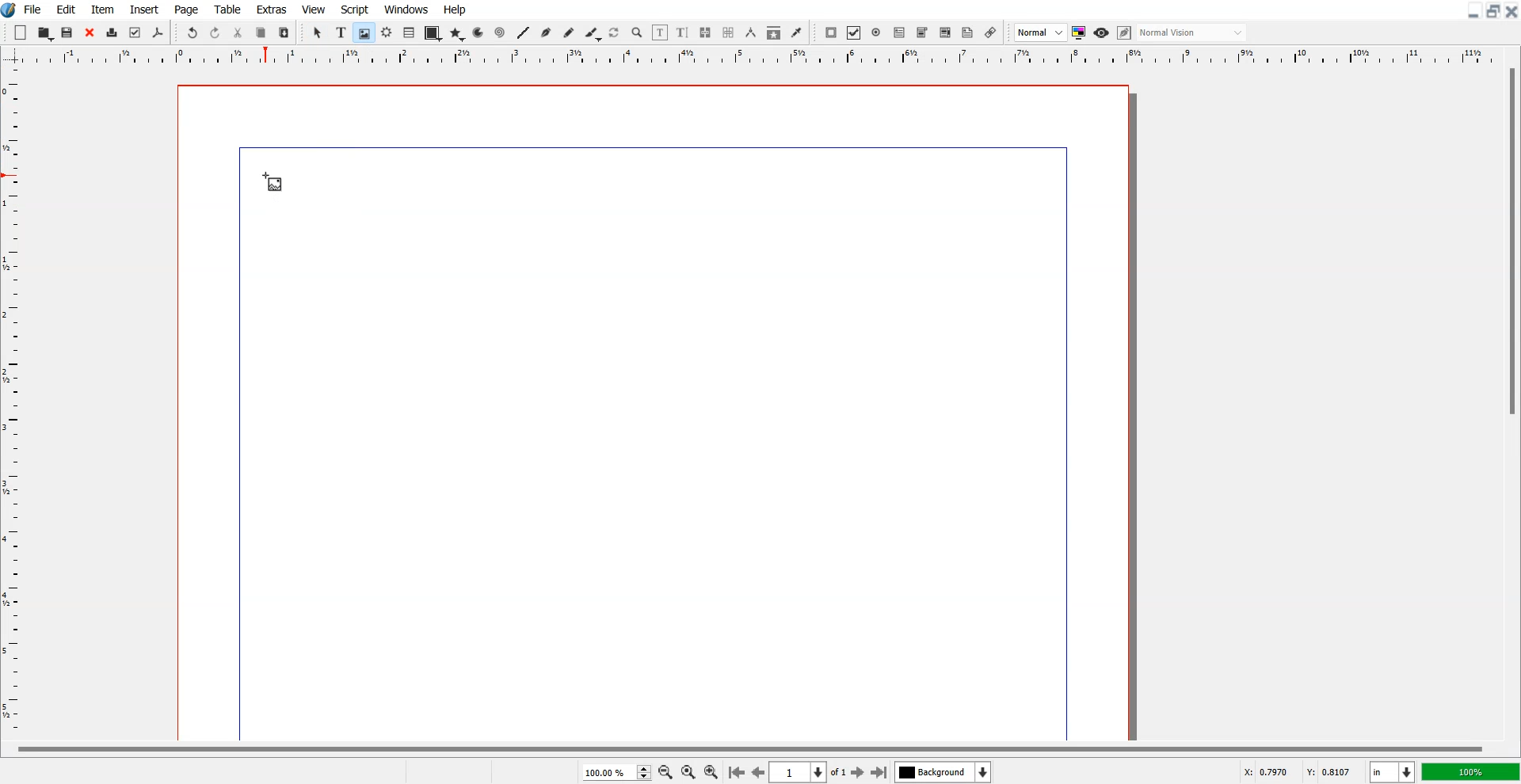 The image size is (1521, 784). Describe the element at coordinates (922, 33) in the screenshot. I see `PDF Combo Box` at that location.